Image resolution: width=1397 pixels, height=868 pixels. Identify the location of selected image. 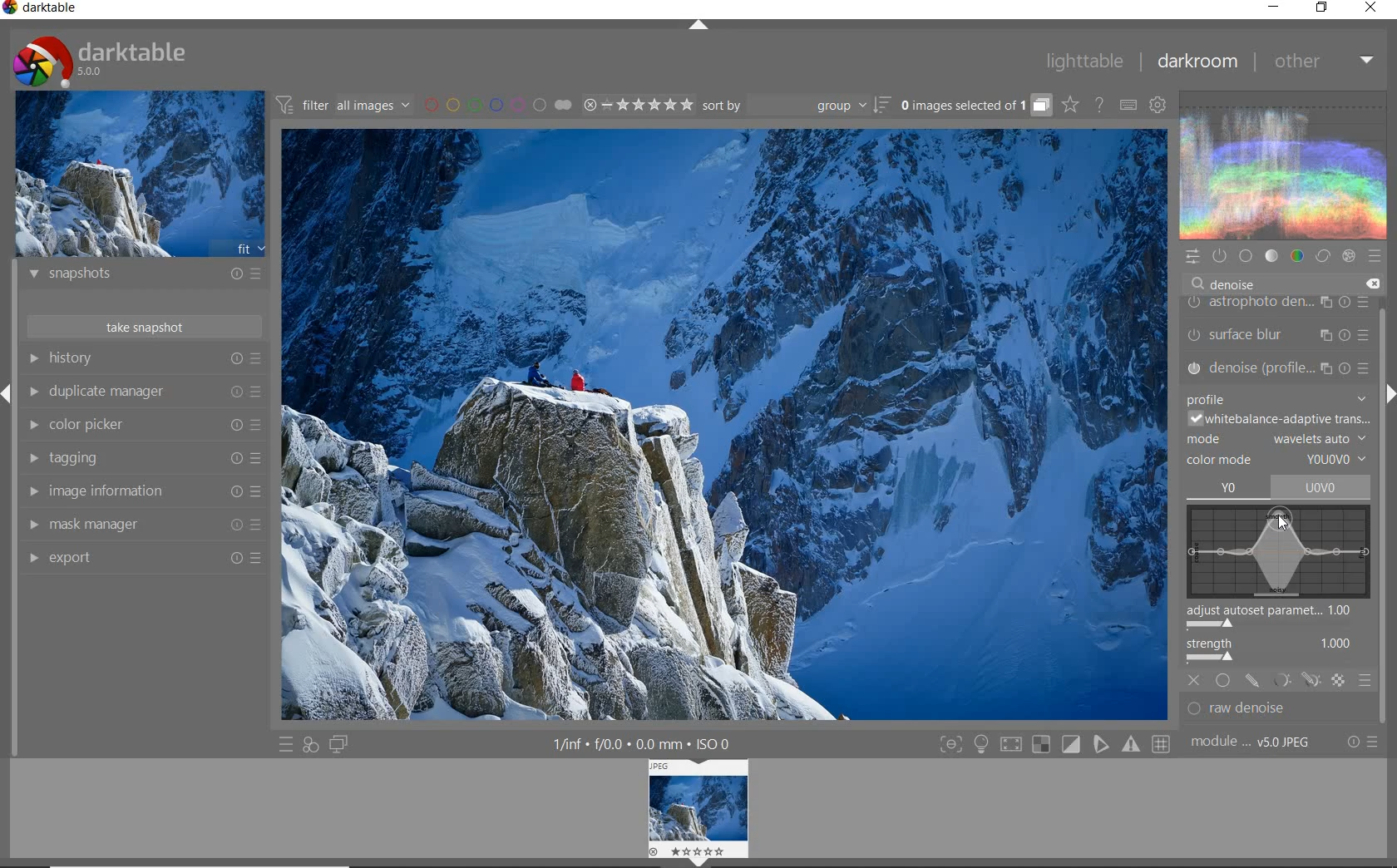
(720, 427).